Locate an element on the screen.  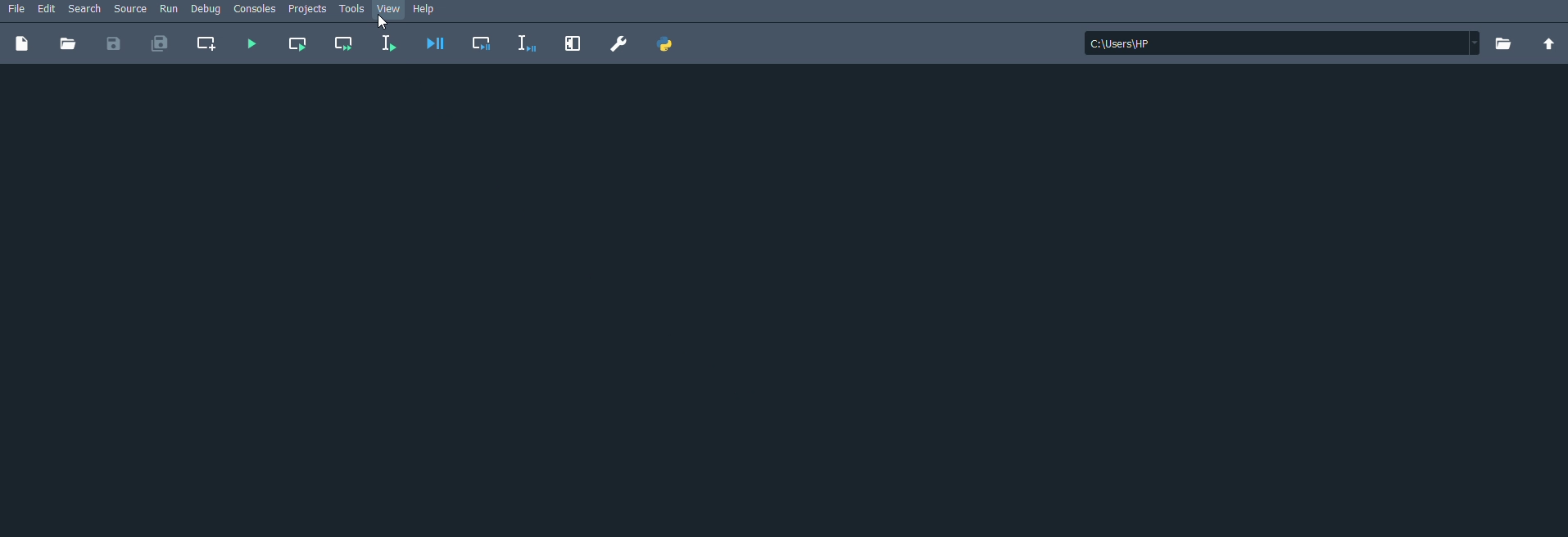
Edit is located at coordinates (48, 9).